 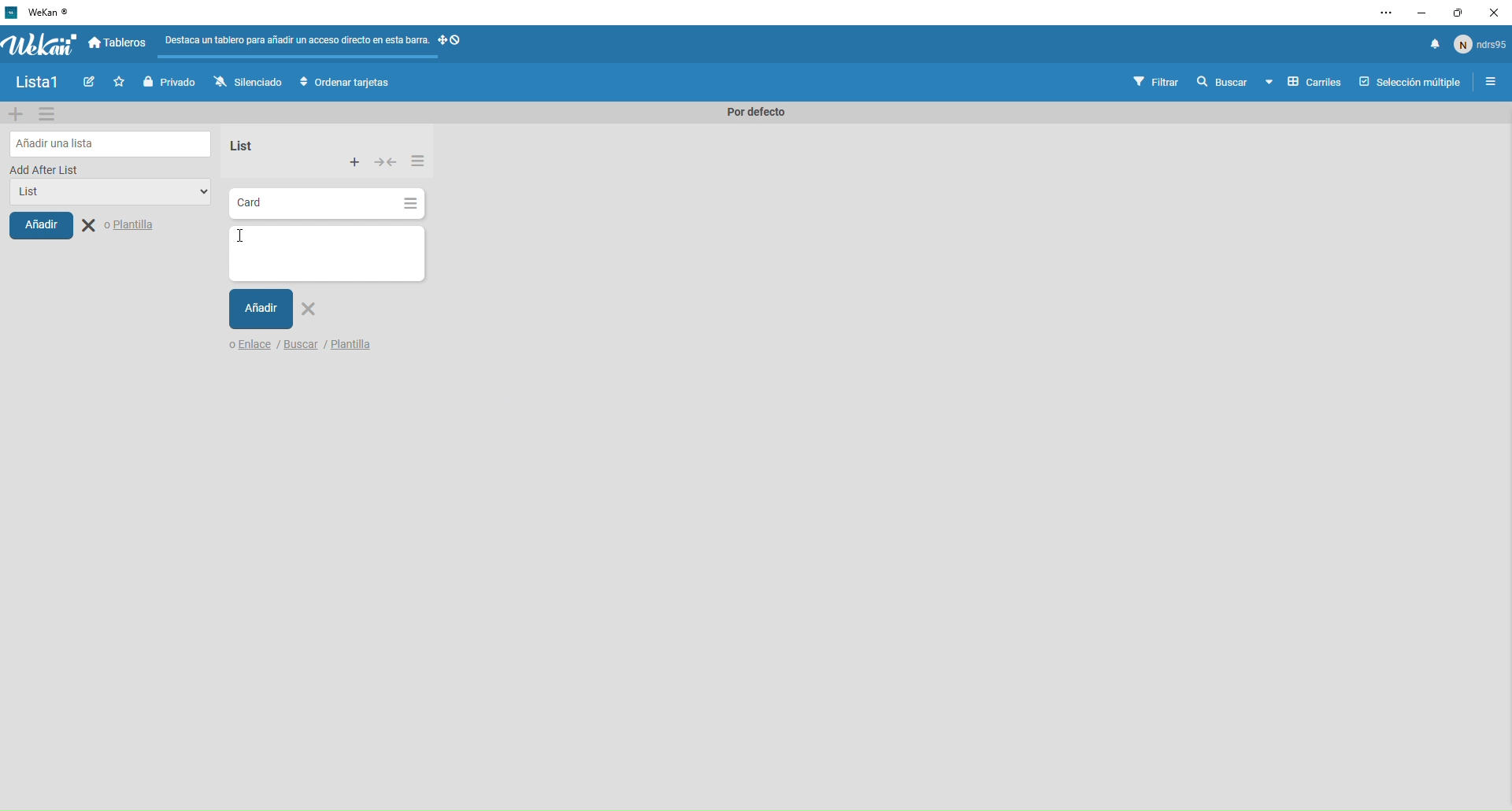 I want to click on Add, so click(x=41, y=224).